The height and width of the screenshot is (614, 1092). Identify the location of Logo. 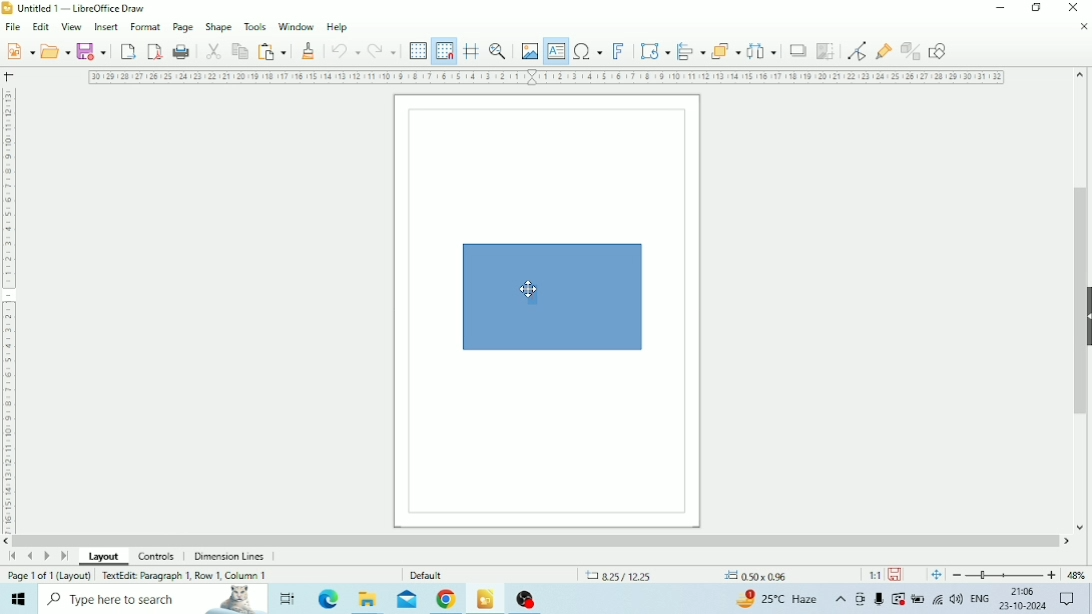
(8, 8).